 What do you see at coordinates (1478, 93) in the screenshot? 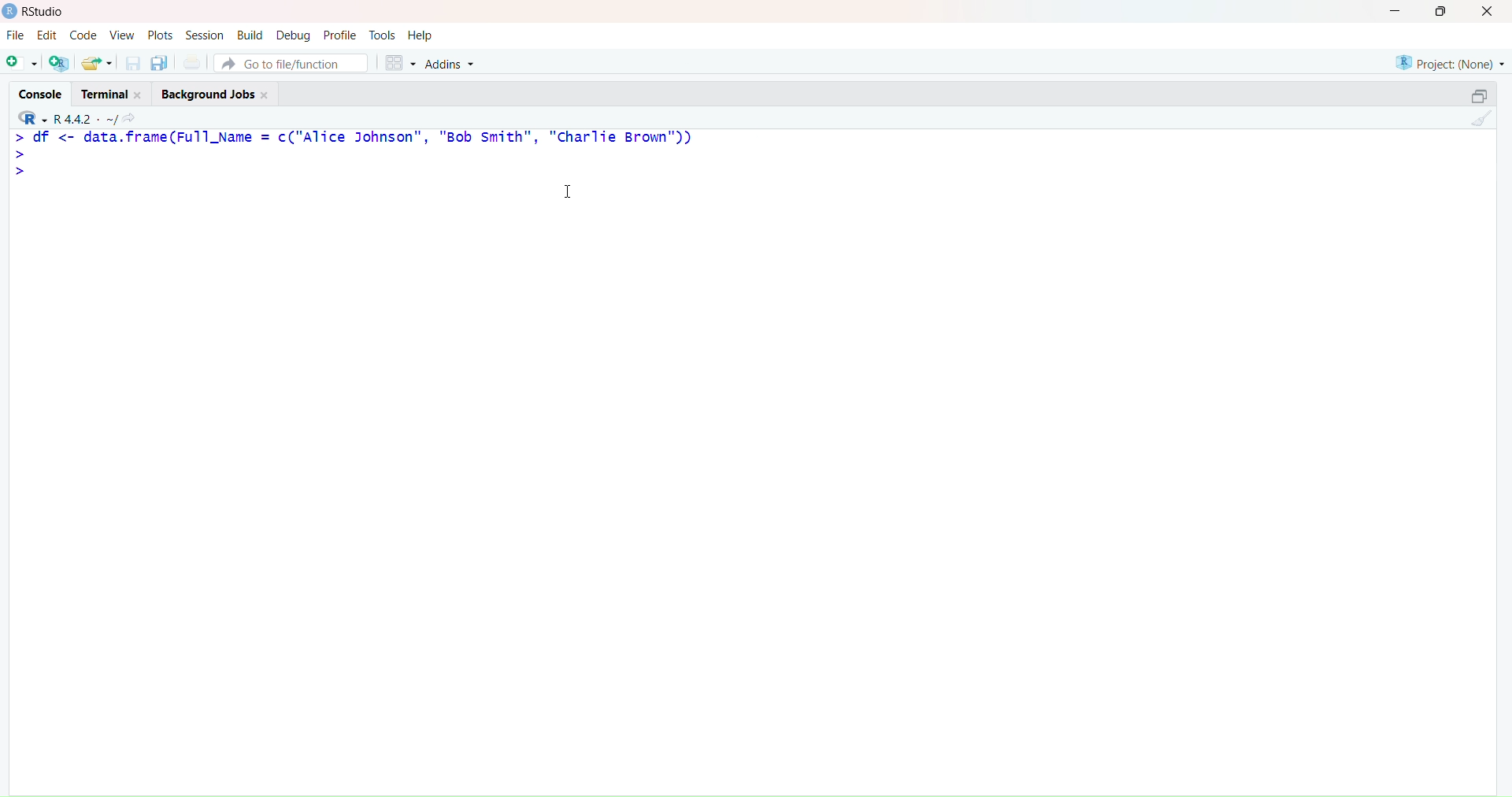
I see `Maximize` at bounding box center [1478, 93].